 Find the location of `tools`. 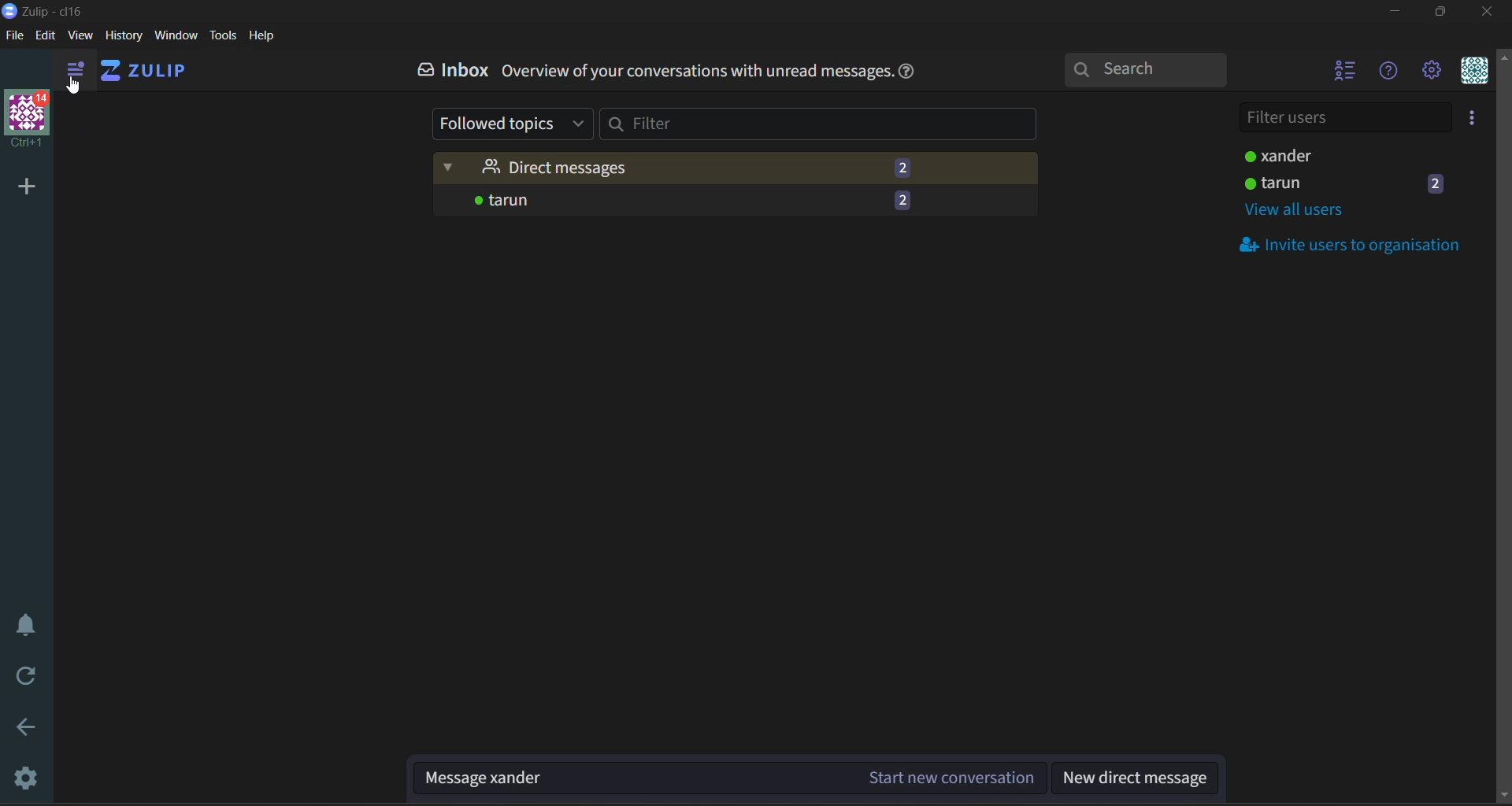

tools is located at coordinates (224, 37).